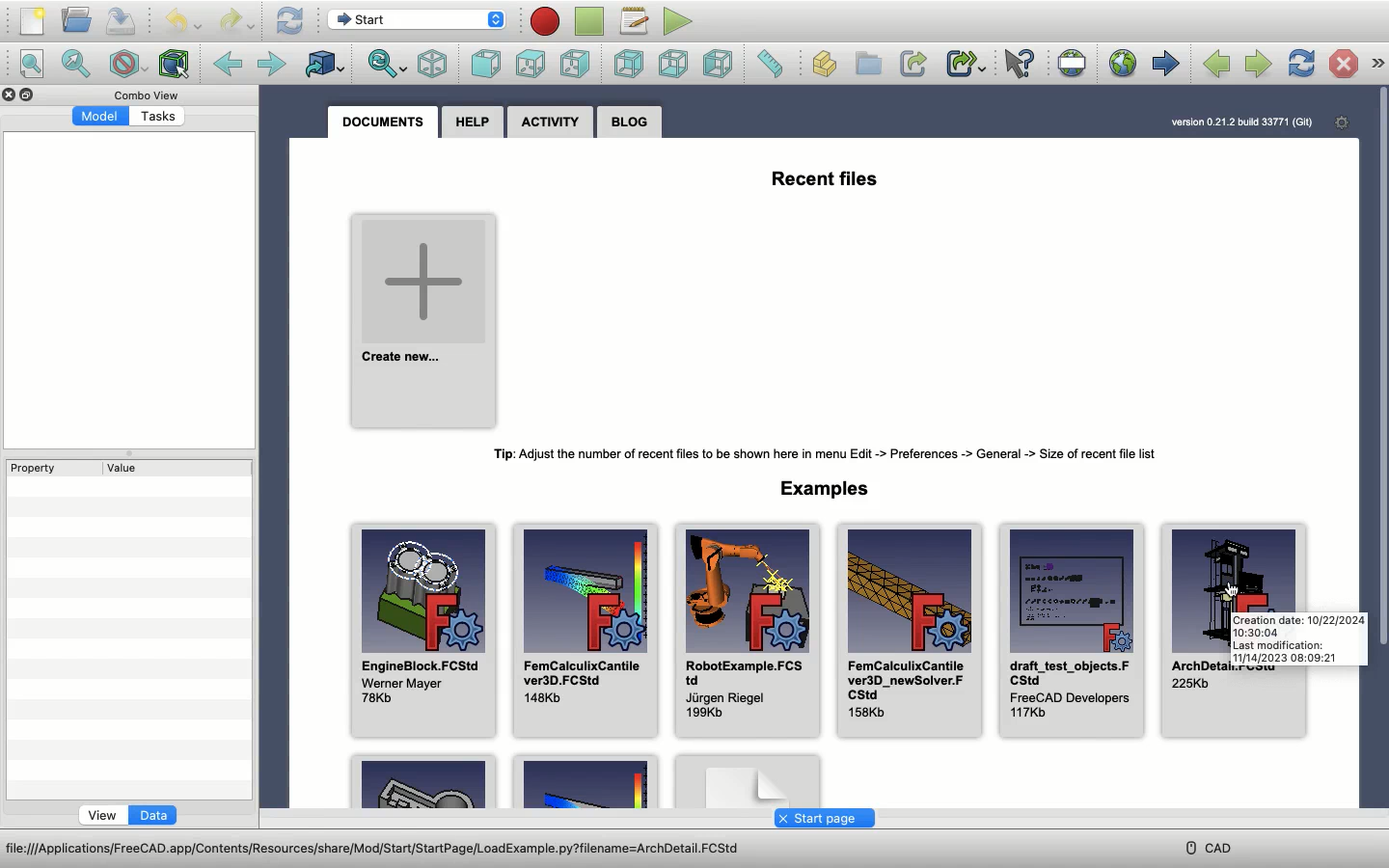  Describe the element at coordinates (1070, 63) in the screenshot. I see `Set URL` at that location.